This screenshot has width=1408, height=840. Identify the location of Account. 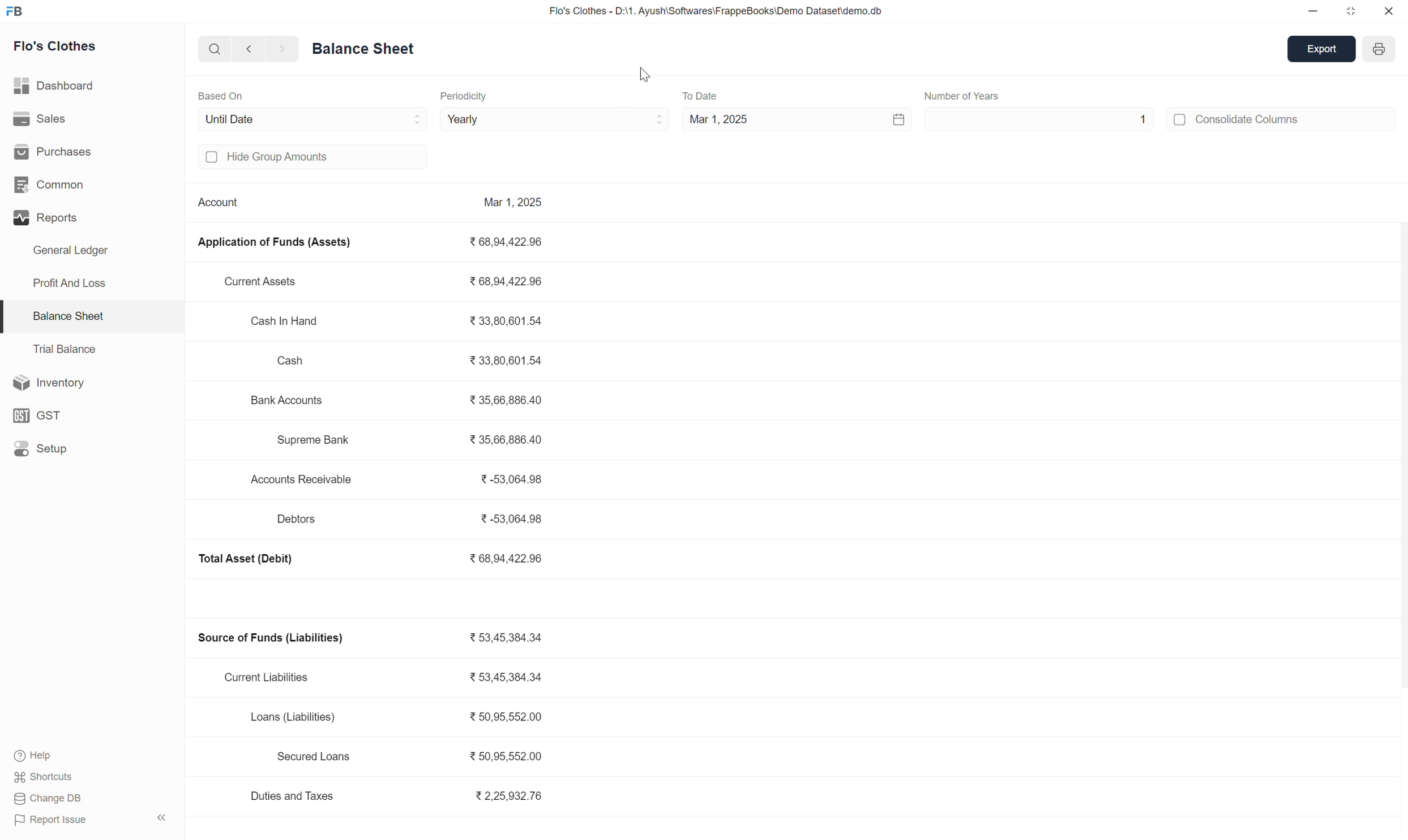
(220, 202).